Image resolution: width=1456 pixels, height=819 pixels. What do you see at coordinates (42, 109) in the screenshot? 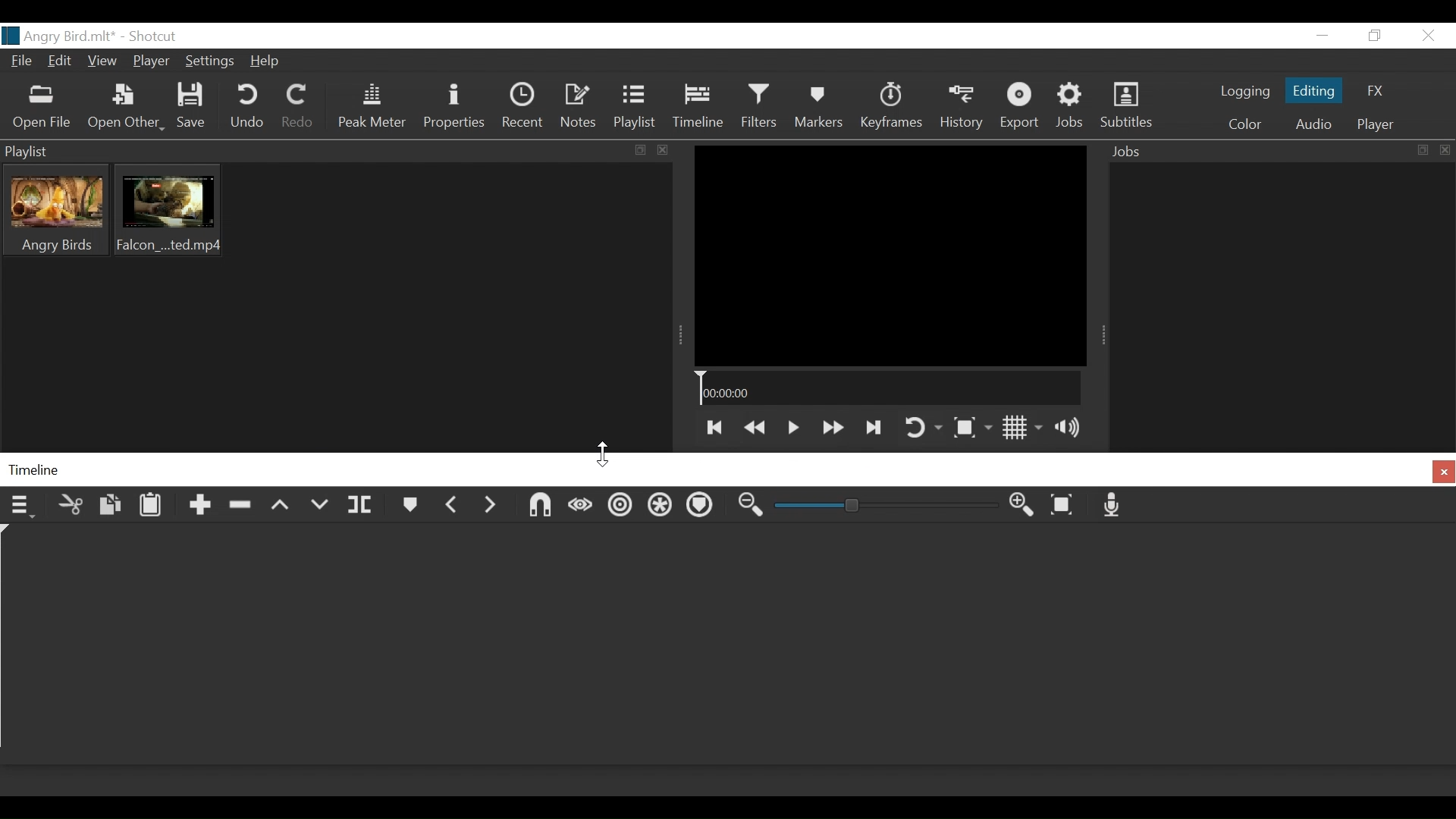
I see `Open File` at bounding box center [42, 109].